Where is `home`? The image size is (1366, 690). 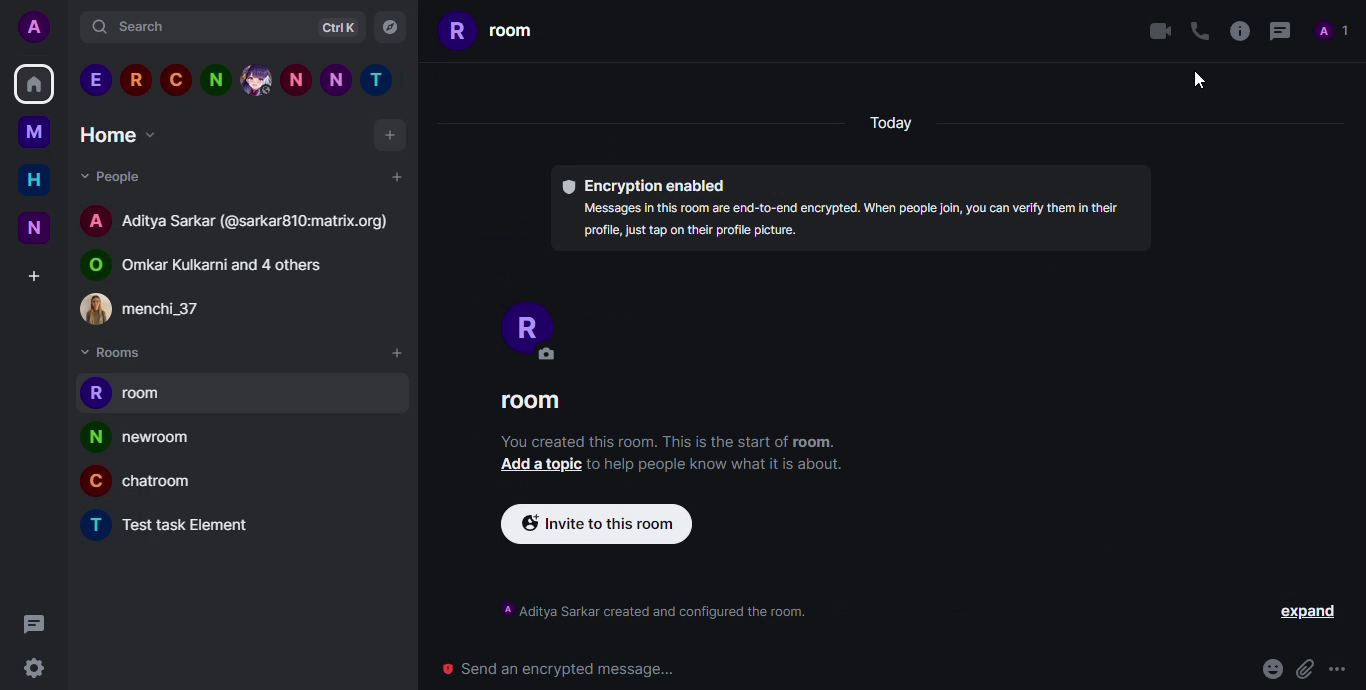 home is located at coordinates (34, 179).